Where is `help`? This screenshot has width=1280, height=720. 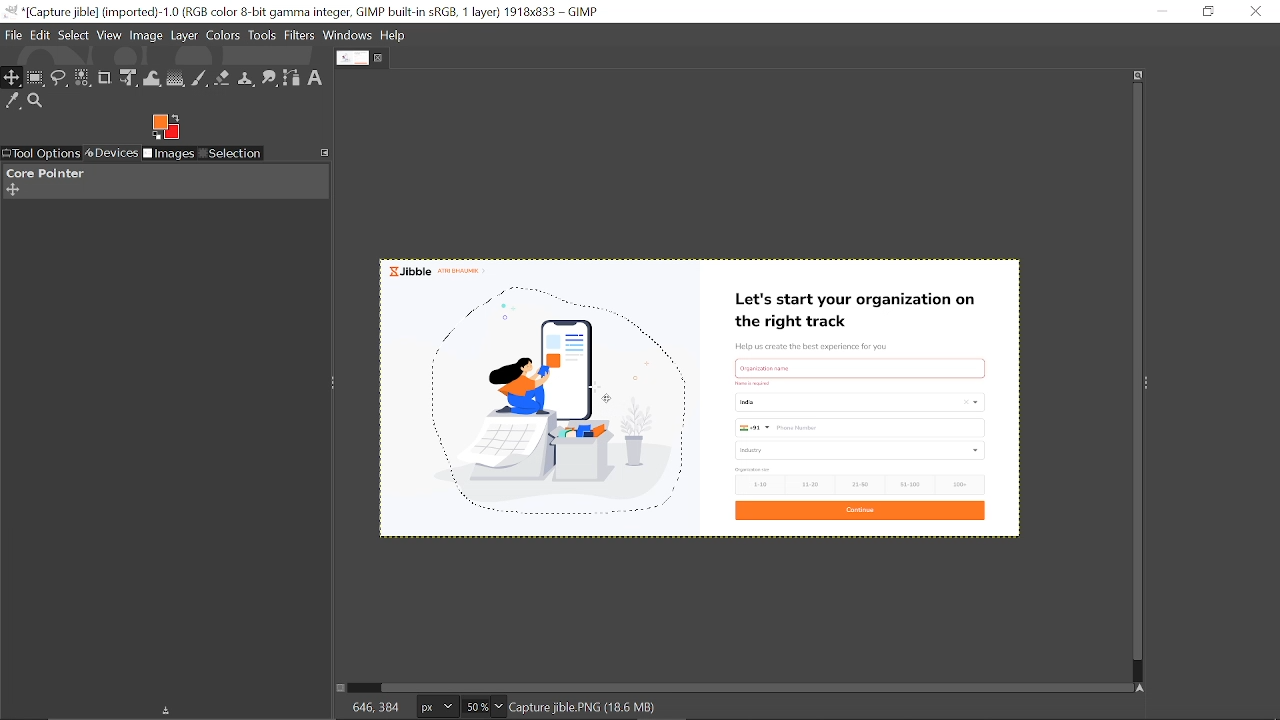
help is located at coordinates (394, 36).